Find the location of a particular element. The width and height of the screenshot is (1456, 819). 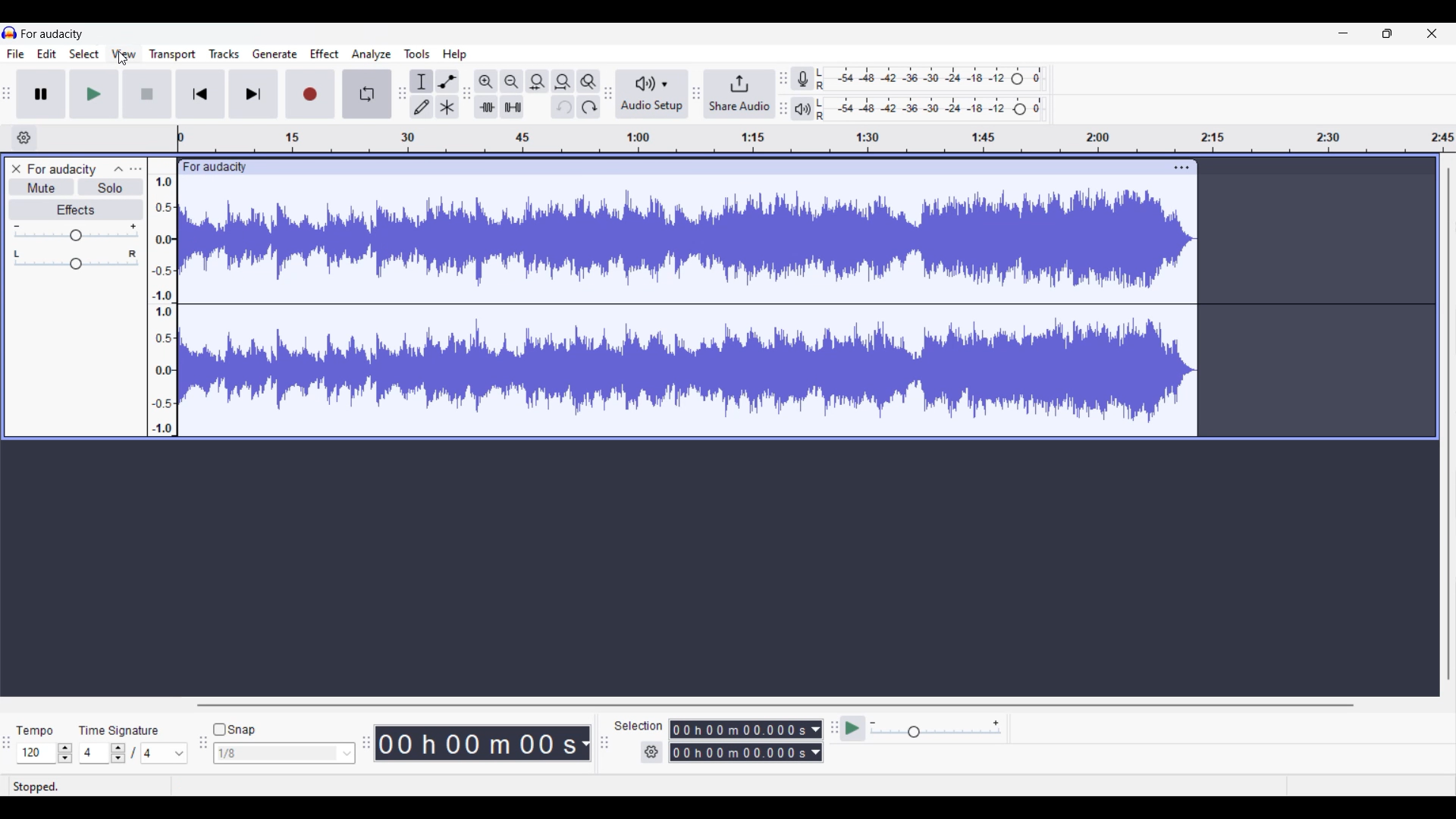

Horizontal slide bar is located at coordinates (775, 705).